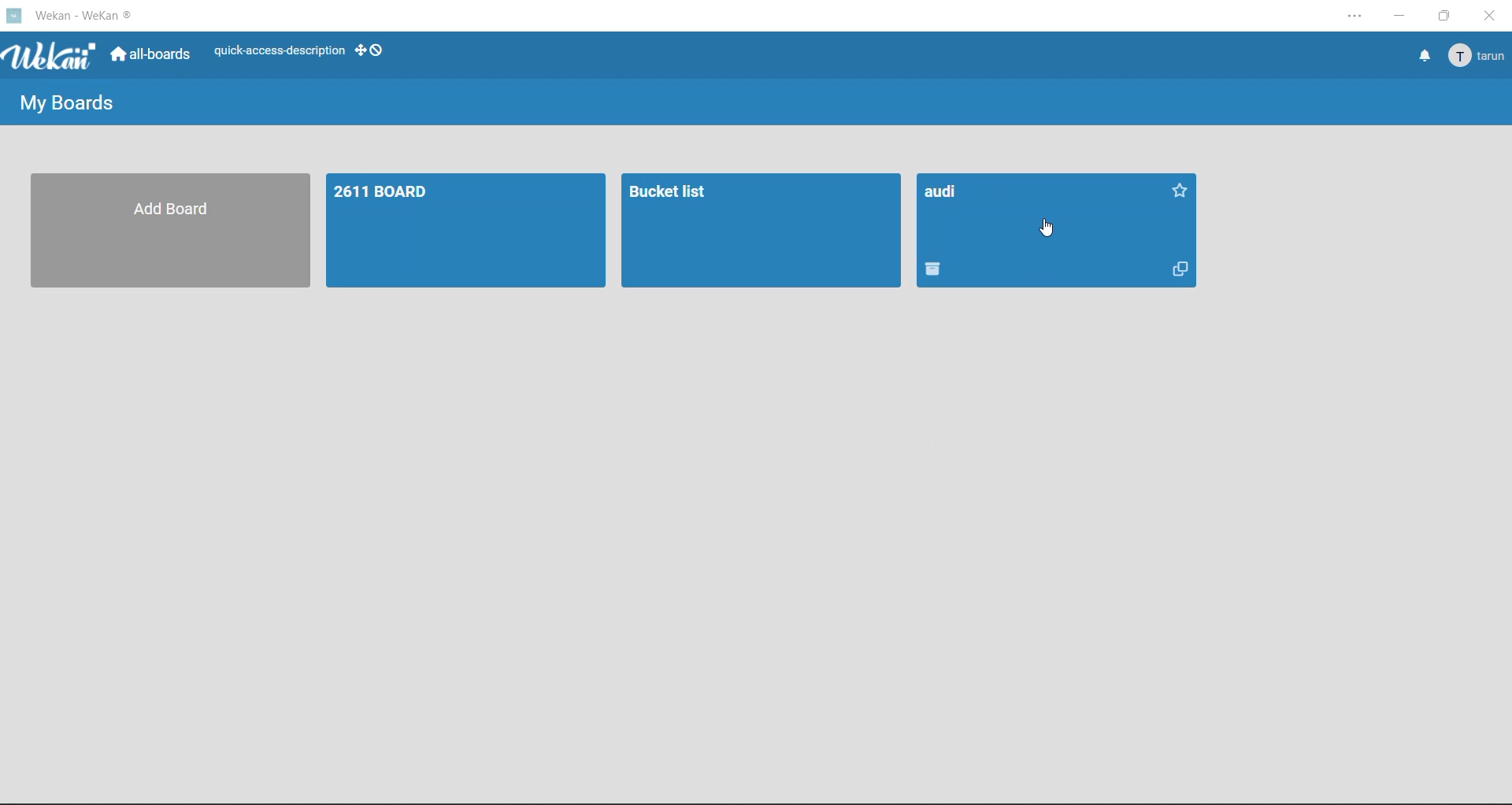 This screenshot has width=1512, height=805. Describe the element at coordinates (1178, 188) in the screenshot. I see `Favorite` at that location.